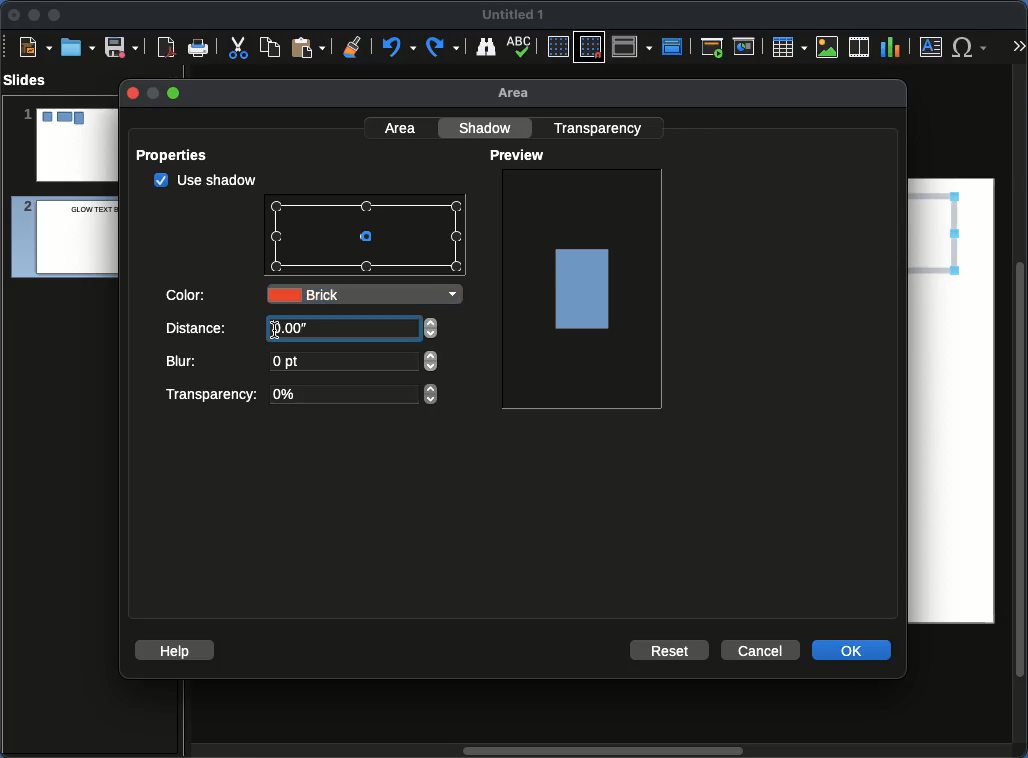  I want to click on Print, so click(199, 49).